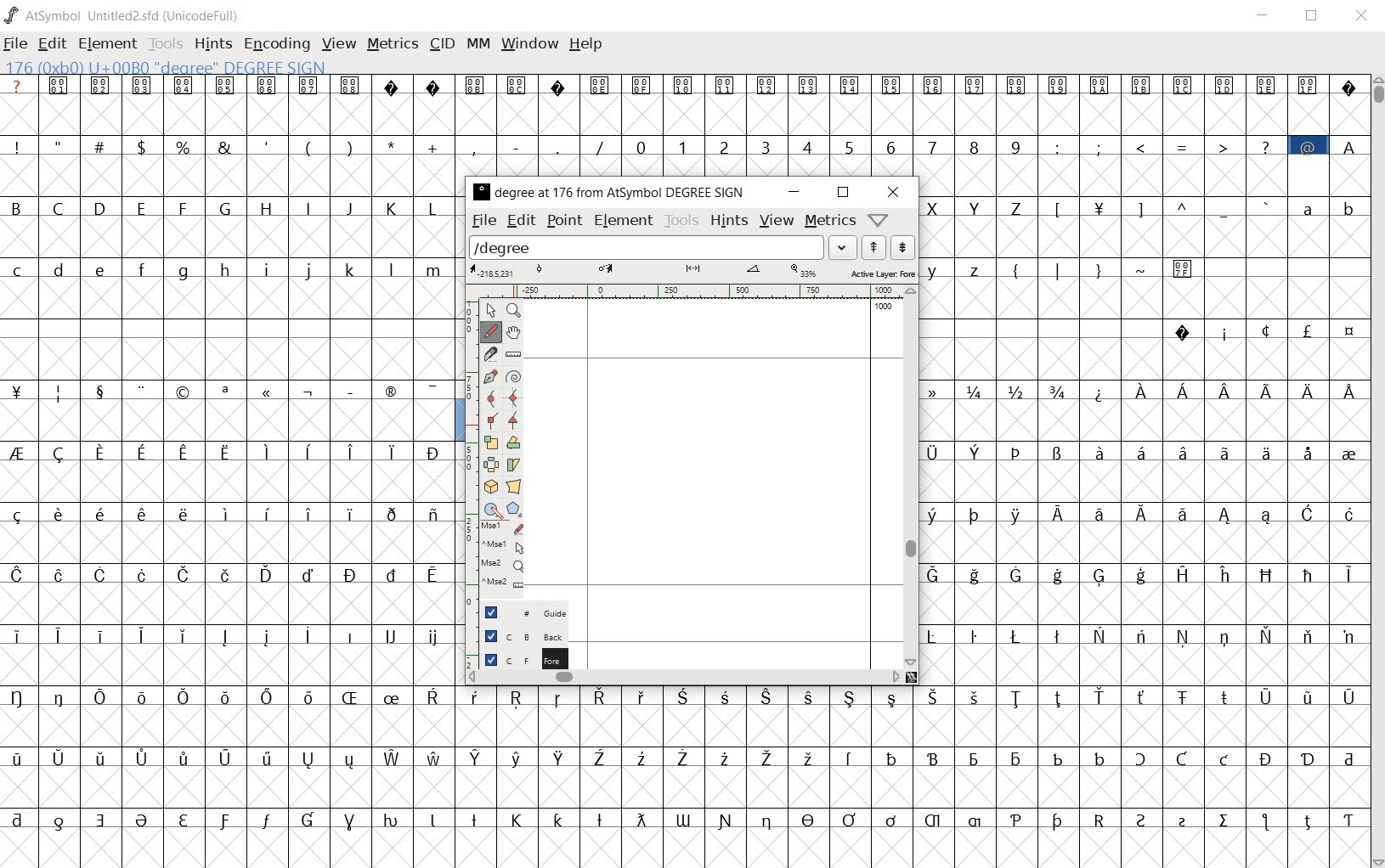 The width and height of the screenshot is (1385, 868). What do you see at coordinates (1162, 146) in the screenshot?
I see `special characters` at bounding box center [1162, 146].